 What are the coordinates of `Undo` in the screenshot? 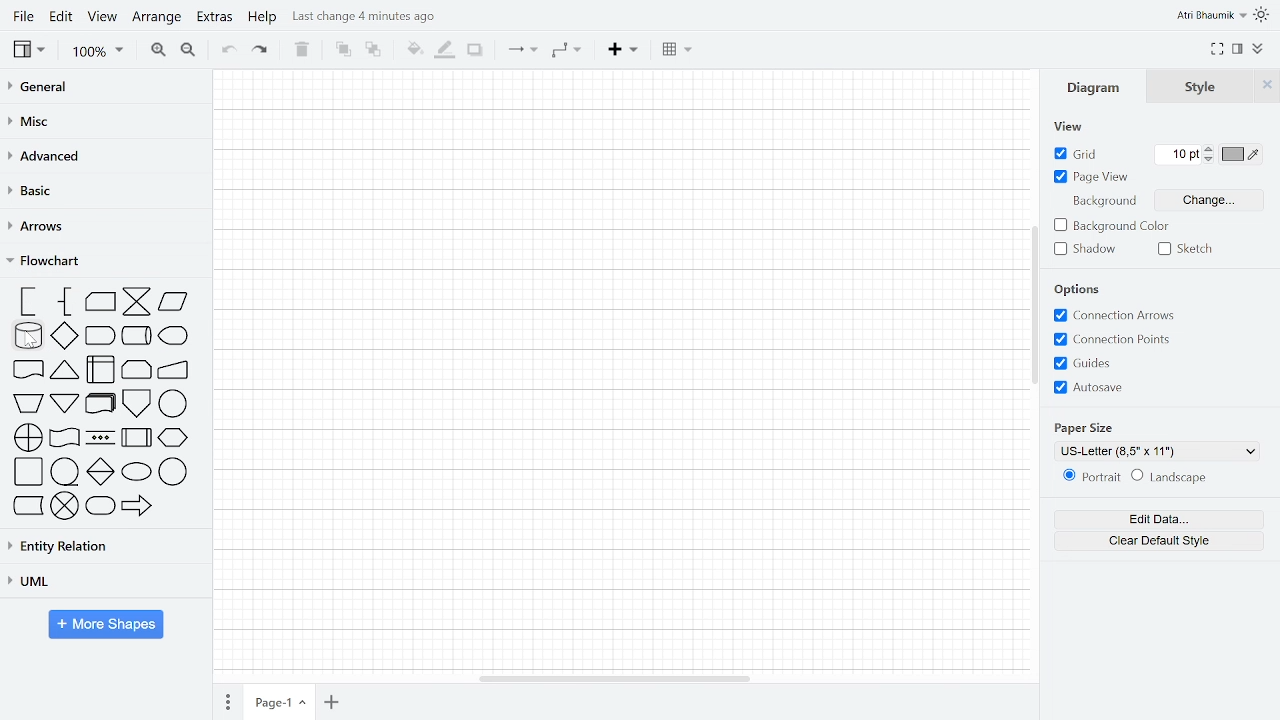 It's located at (228, 51).